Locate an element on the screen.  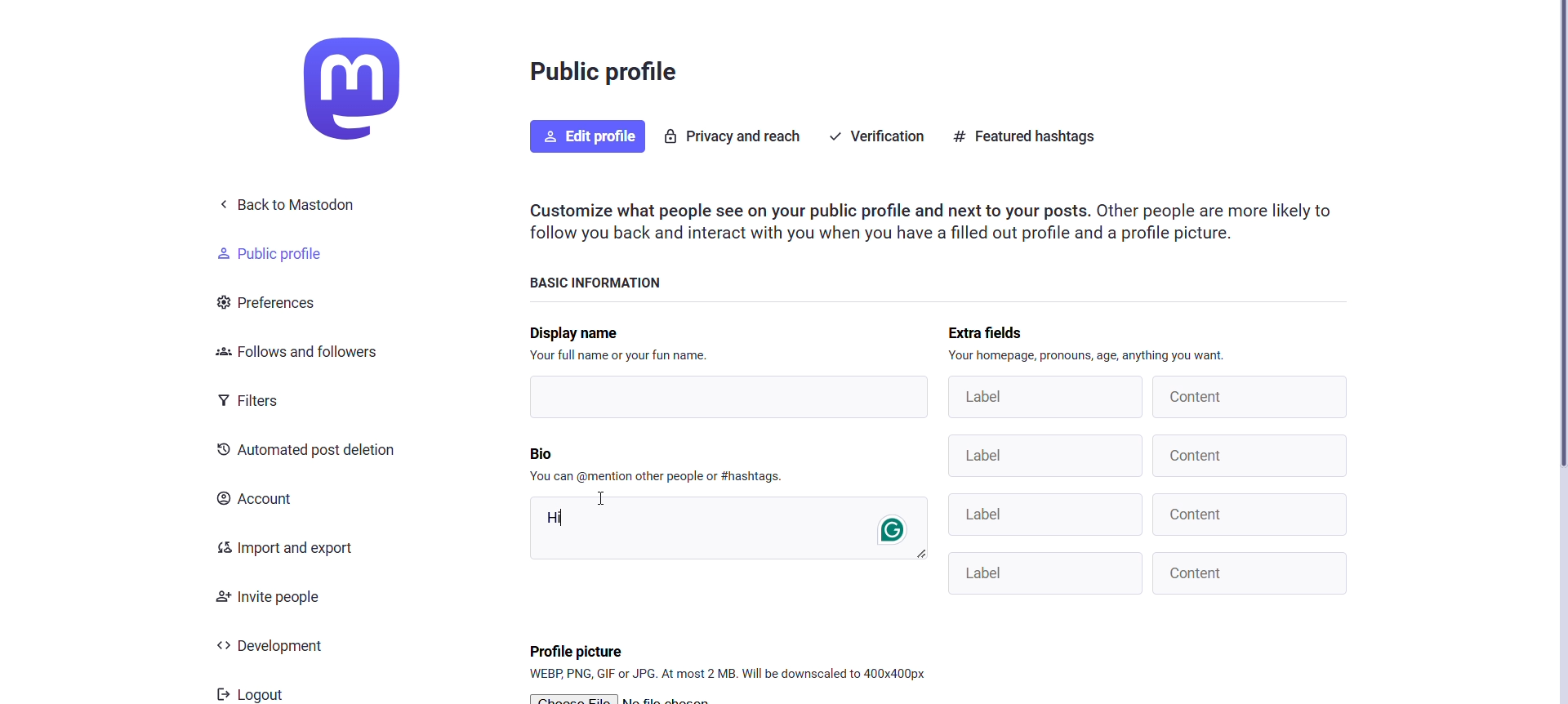
Logout is located at coordinates (252, 691).